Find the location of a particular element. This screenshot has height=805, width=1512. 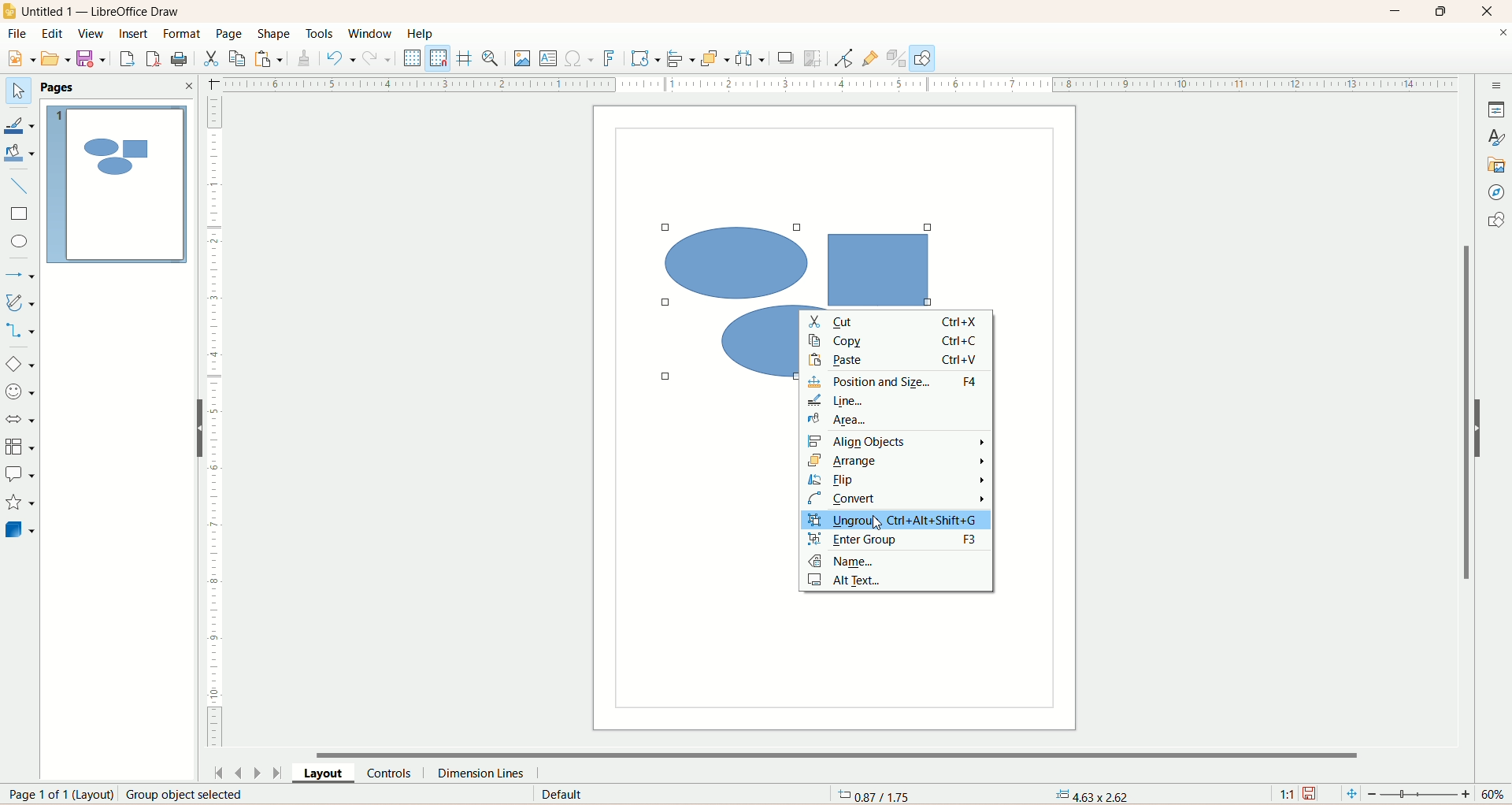

fill color is located at coordinates (22, 154).